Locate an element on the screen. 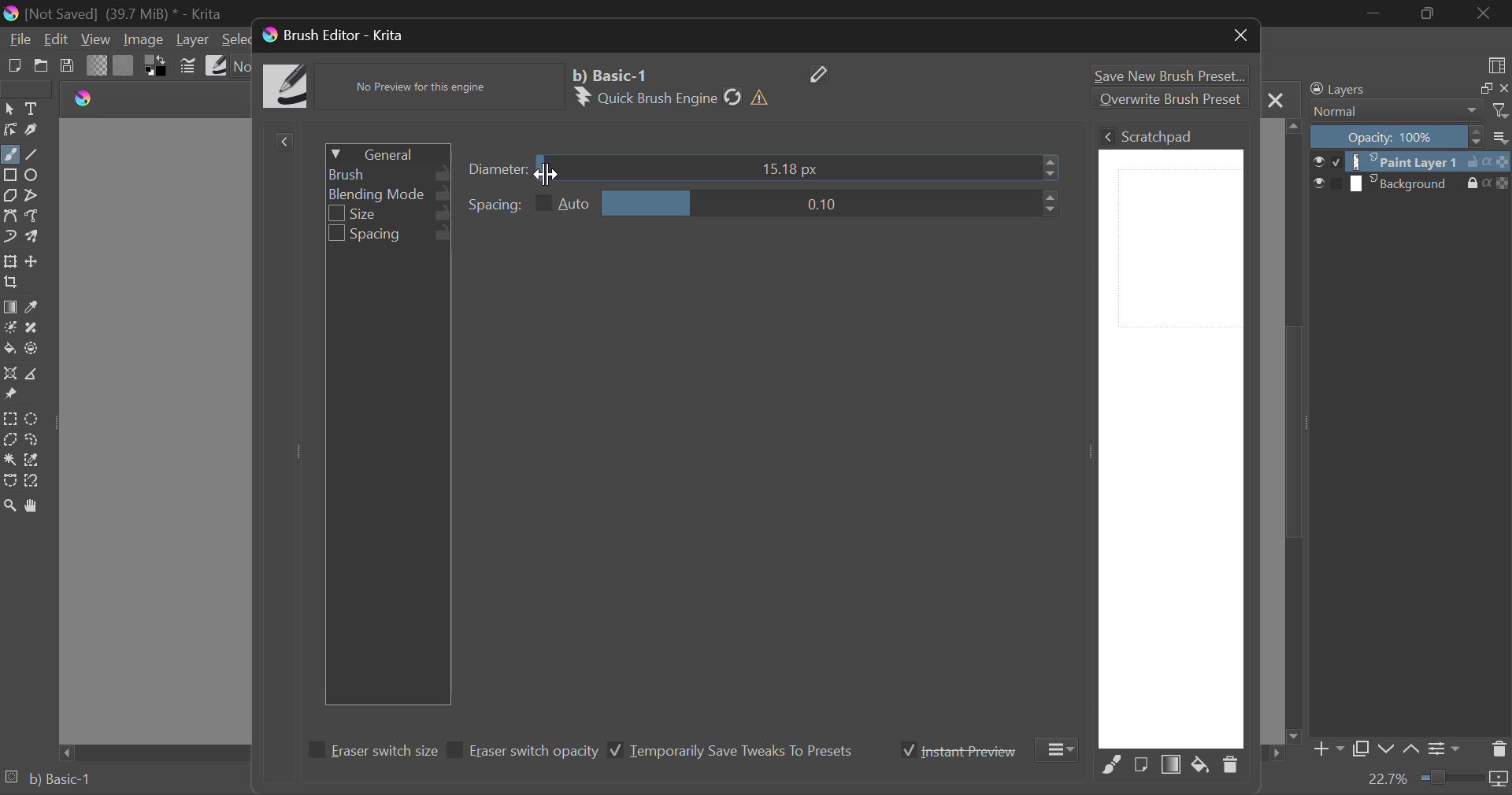 The image size is (1512, 795). Save New Brush Preset is located at coordinates (1167, 73).